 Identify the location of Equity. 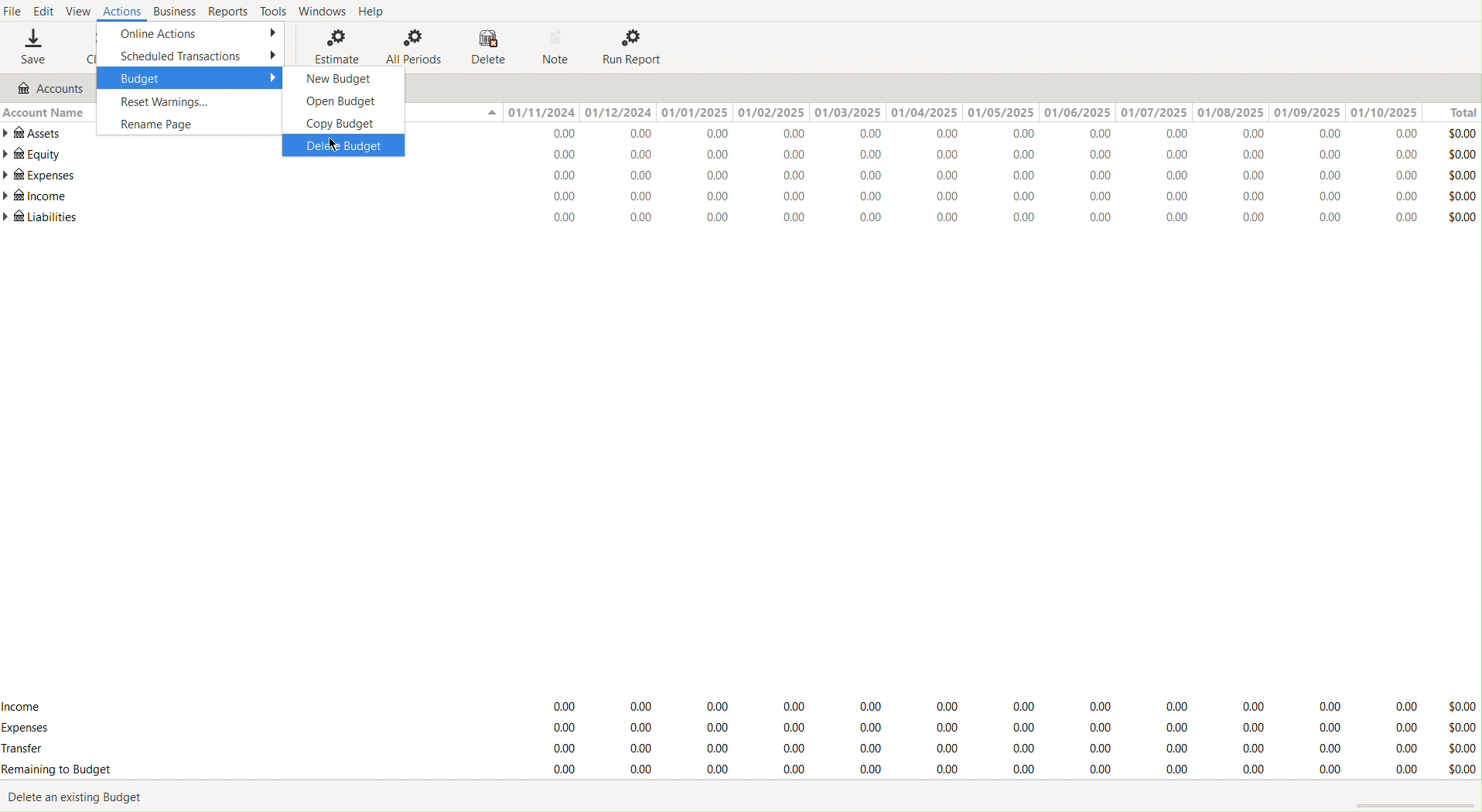
(32, 154).